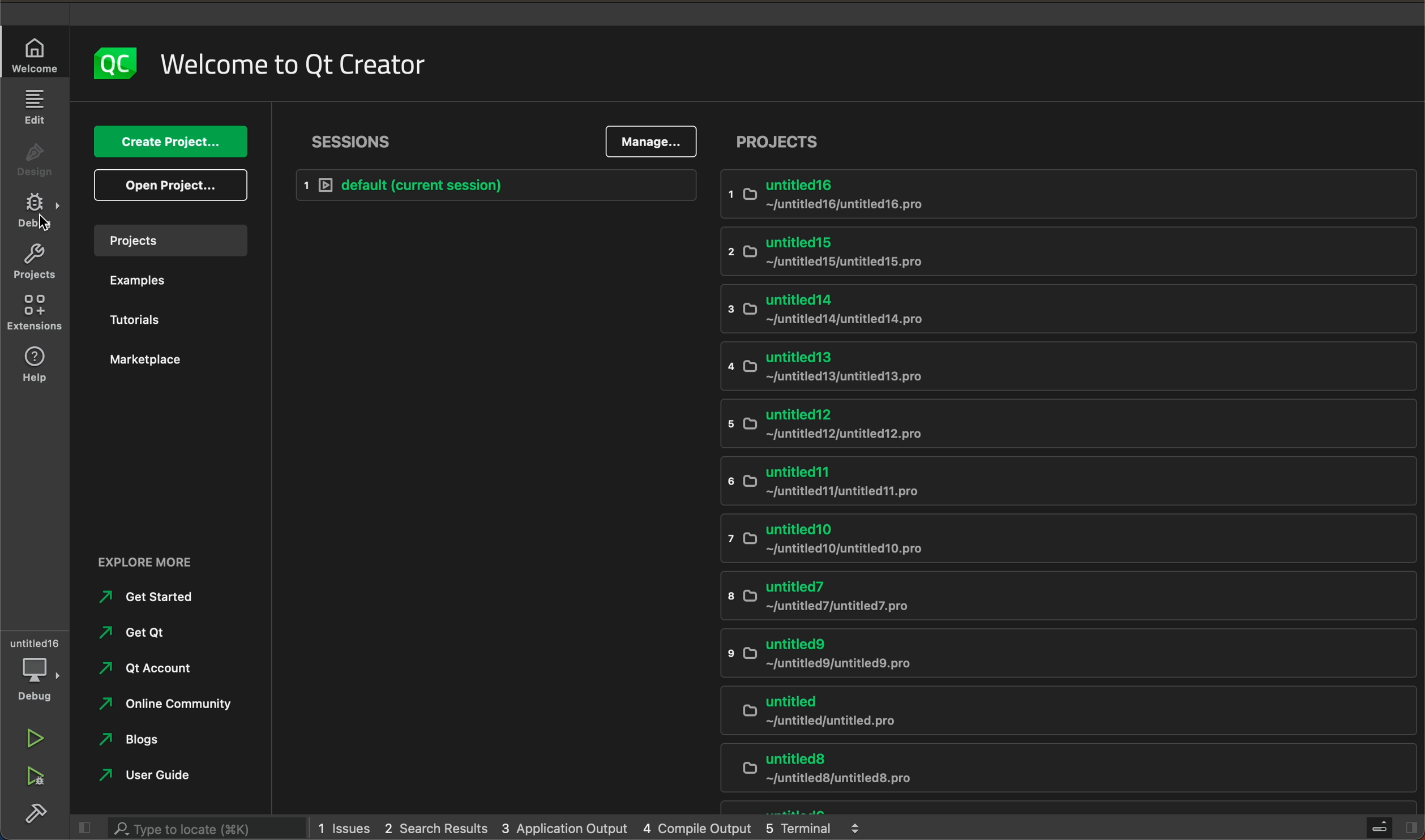  I want to click on logs, so click(593, 829).